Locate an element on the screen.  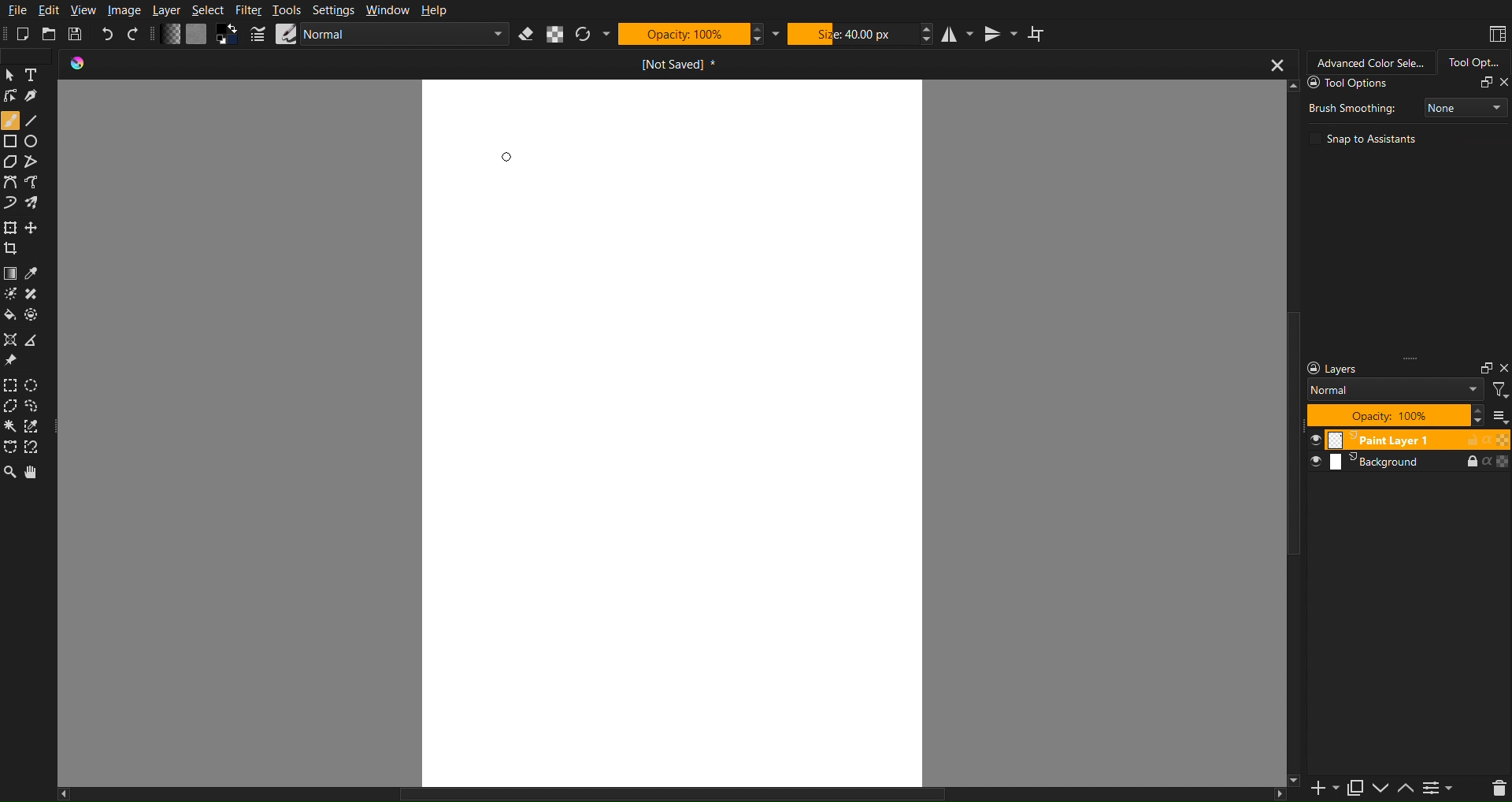
Current Document is located at coordinates (678, 64).